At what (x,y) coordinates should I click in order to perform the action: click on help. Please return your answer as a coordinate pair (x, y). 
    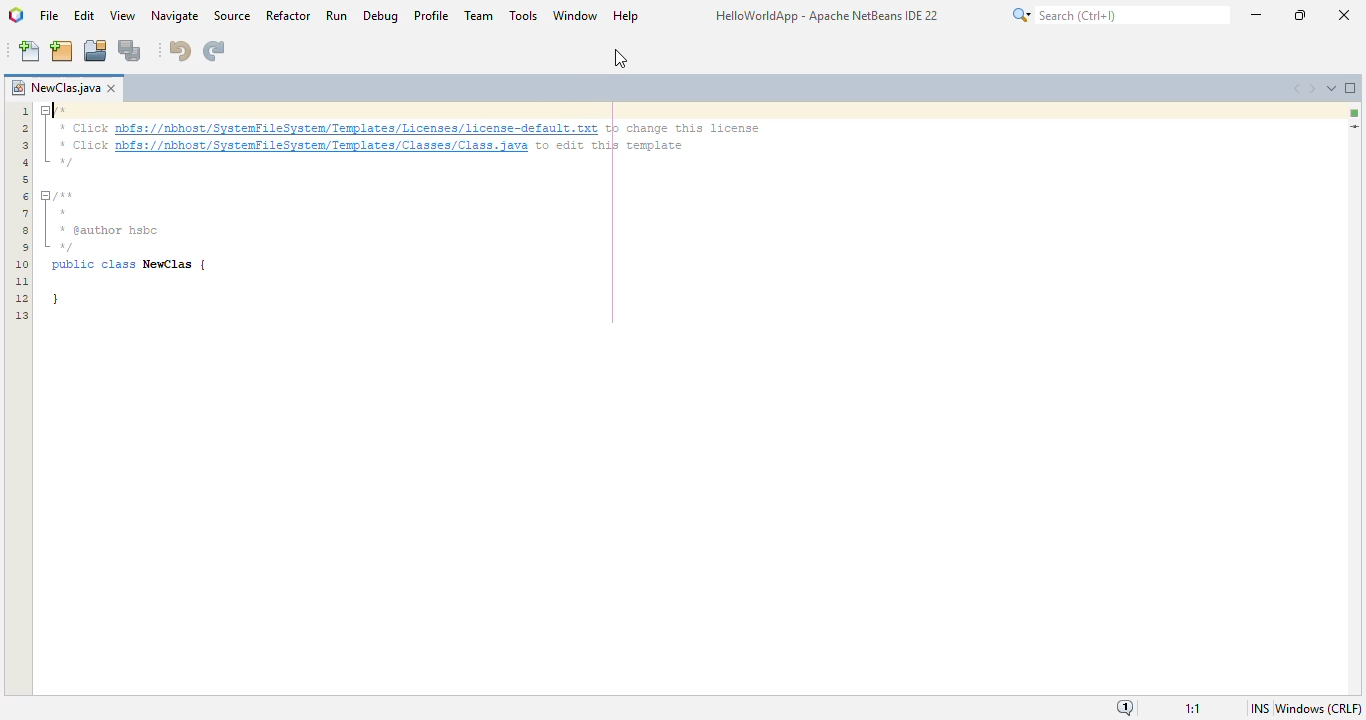
    Looking at the image, I should click on (627, 15).